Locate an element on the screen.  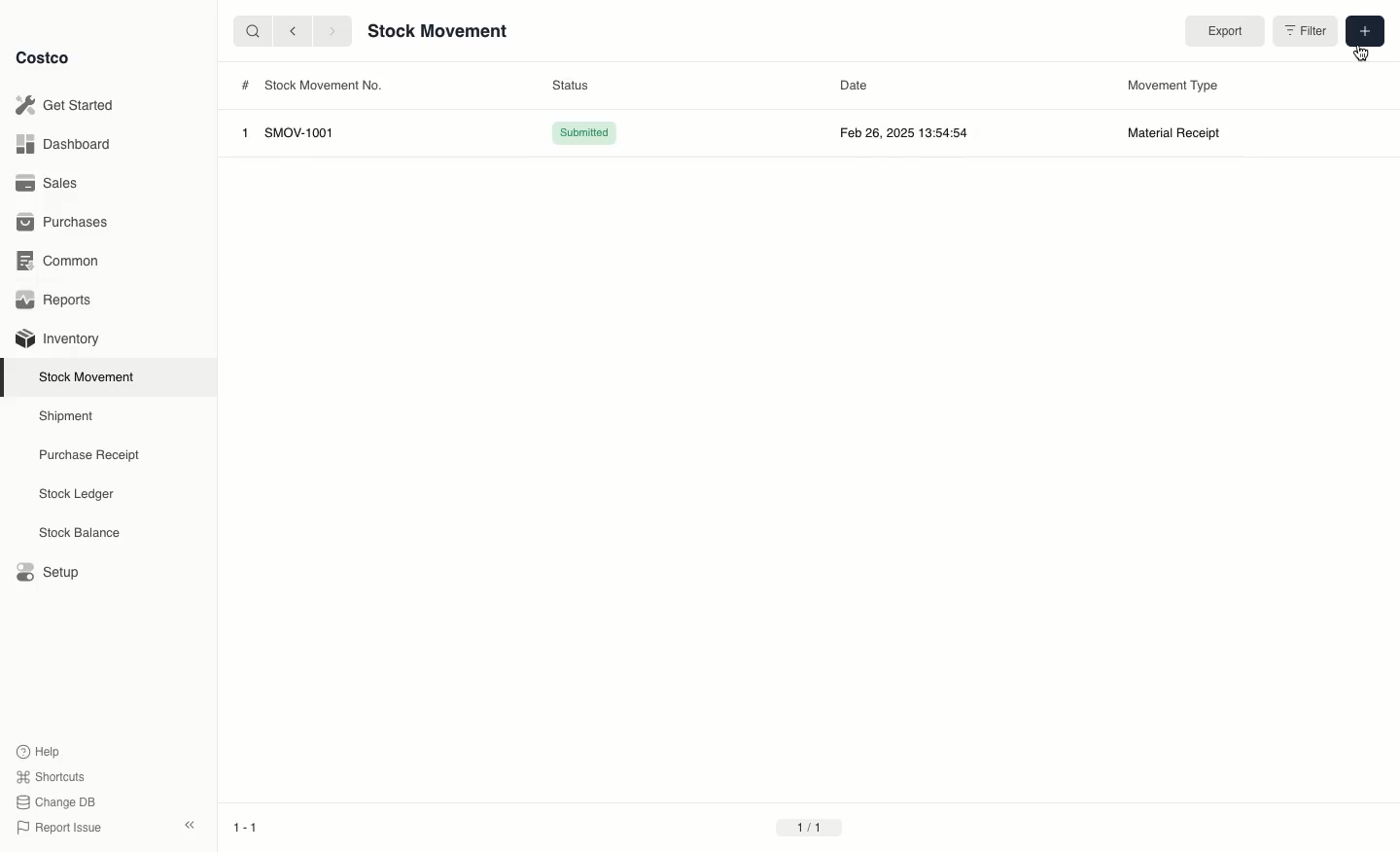
Status is located at coordinates (573, 88).